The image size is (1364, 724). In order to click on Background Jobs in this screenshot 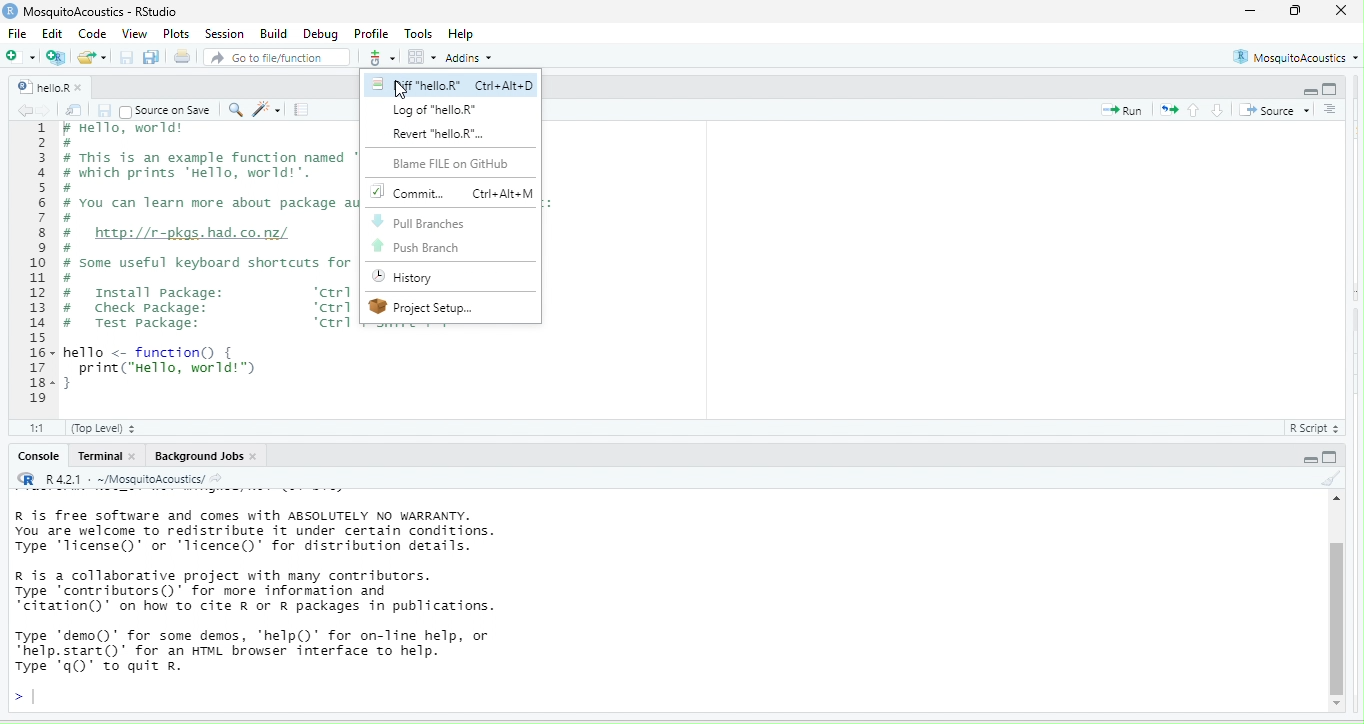, I will do `click(201, 456)`.